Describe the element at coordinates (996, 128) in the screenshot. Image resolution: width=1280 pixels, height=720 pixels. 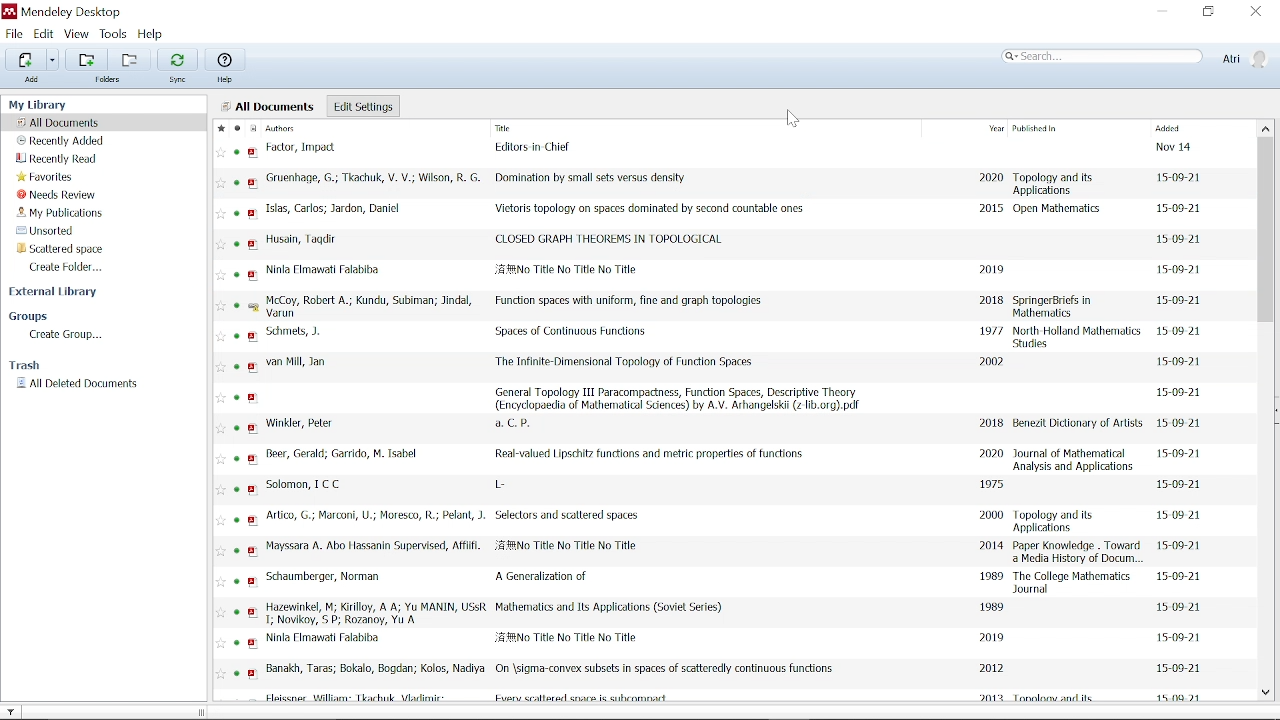
I see `Year` at that location.